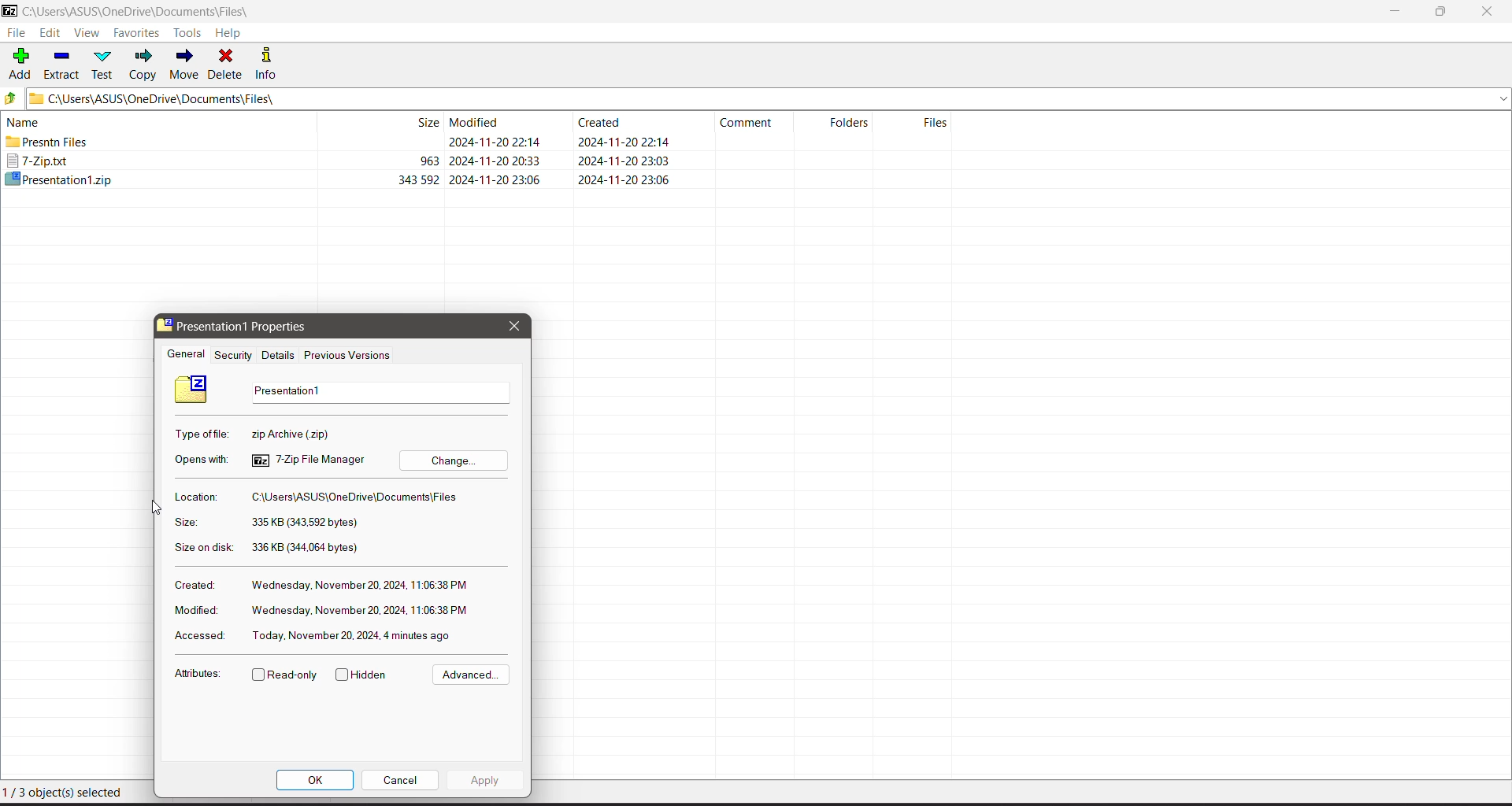  What do you see at coordinates (484, 780) in the screenshot?
I see `Click to apply the changes made` at bounding box center [484, 780].